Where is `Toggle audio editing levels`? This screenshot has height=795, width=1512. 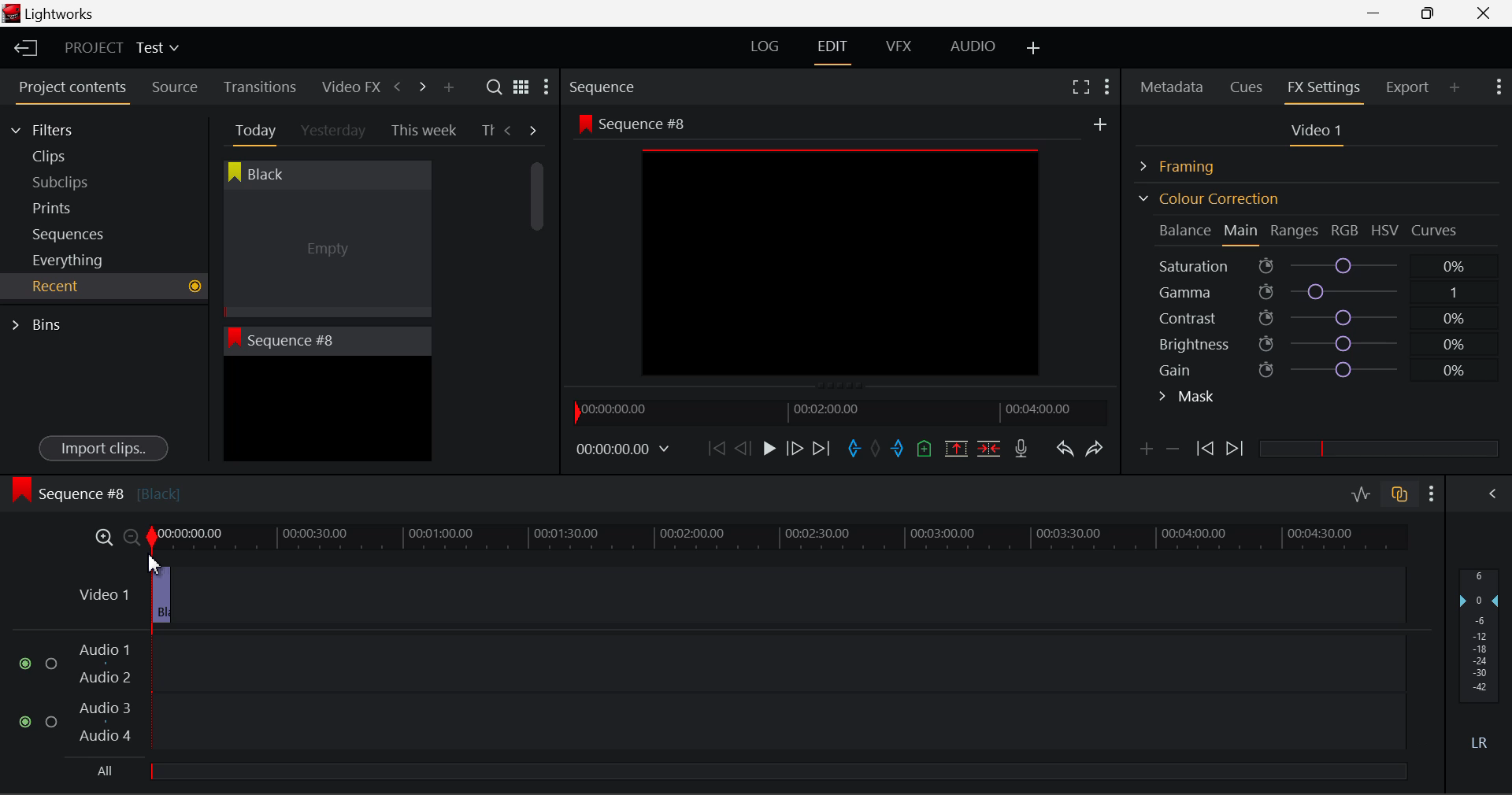 Toggle audio editing levels is located at coordinates (1362, 492).